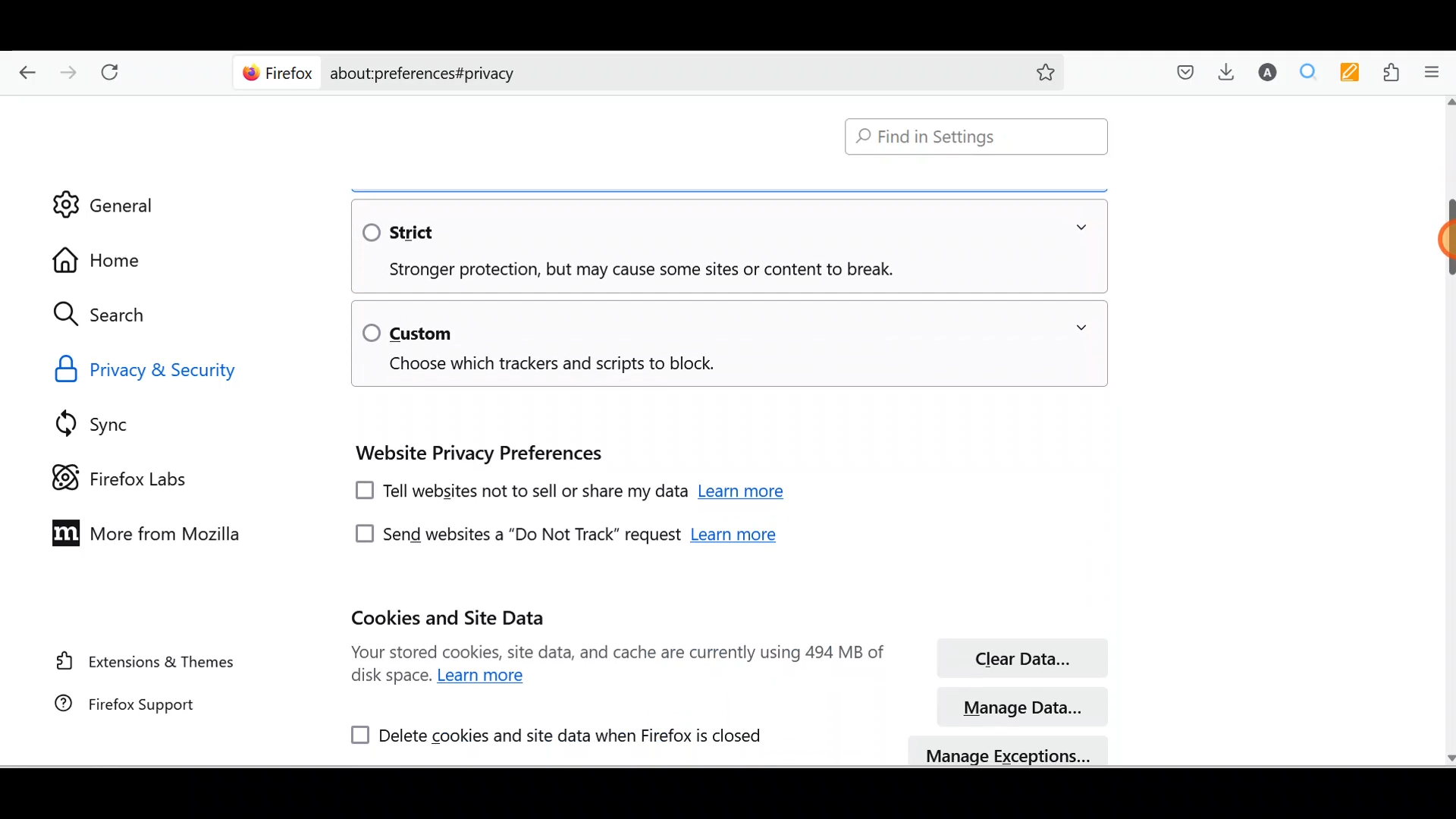  Describe the element at coordinates (145, 664) in the screenshot. I see `Extension & themes` at that location.